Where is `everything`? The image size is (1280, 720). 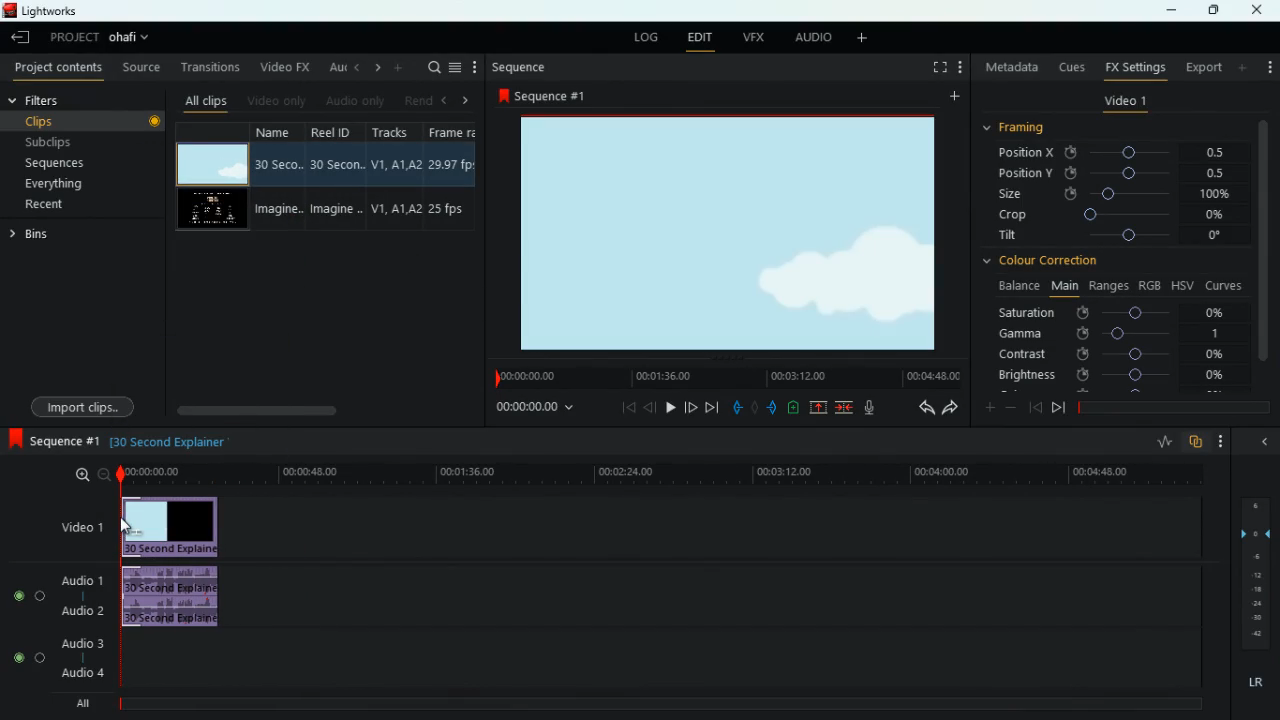 everything is located at coordinates (57, 186).